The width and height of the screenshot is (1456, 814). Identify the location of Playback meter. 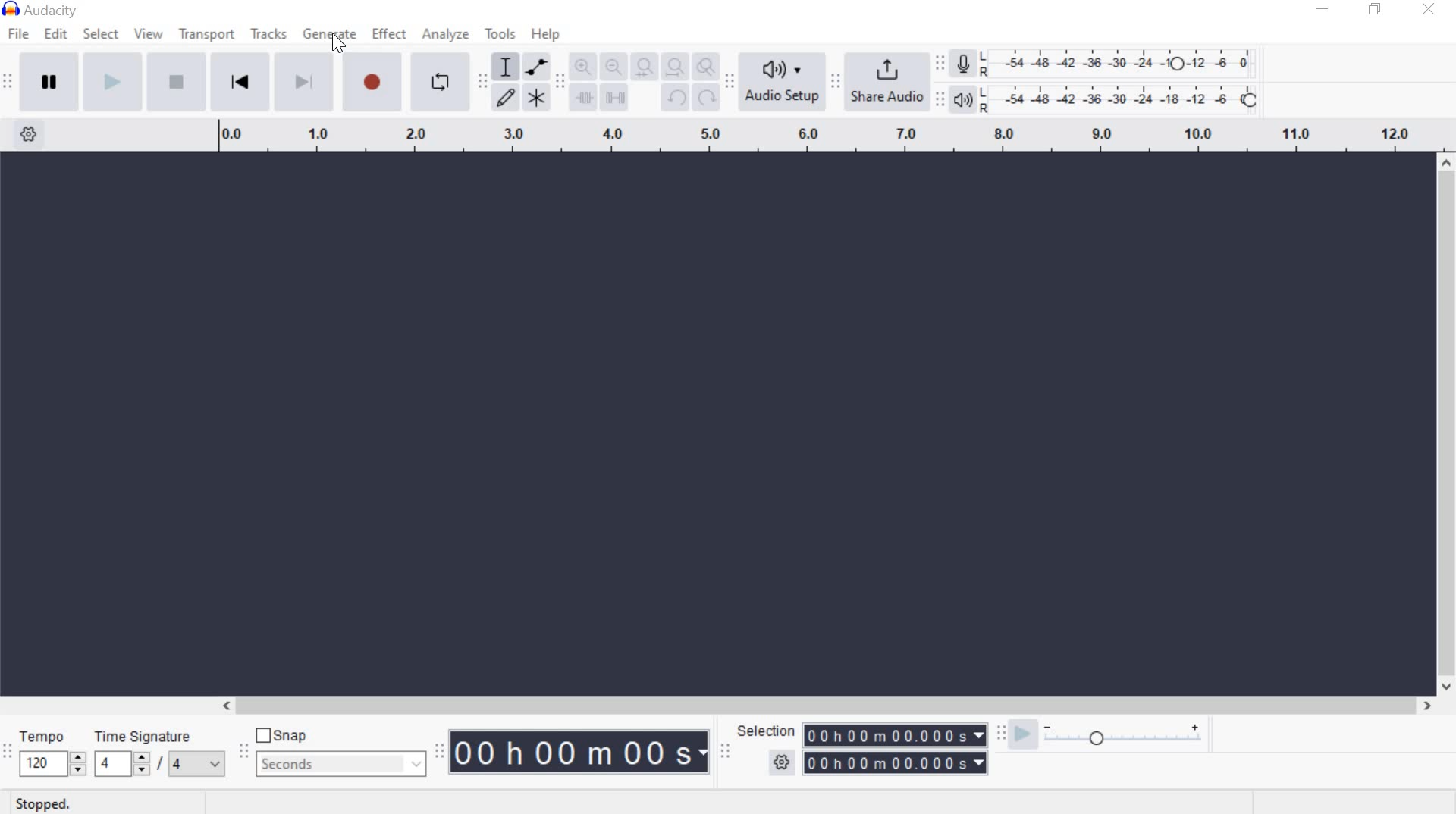
(964, 101).